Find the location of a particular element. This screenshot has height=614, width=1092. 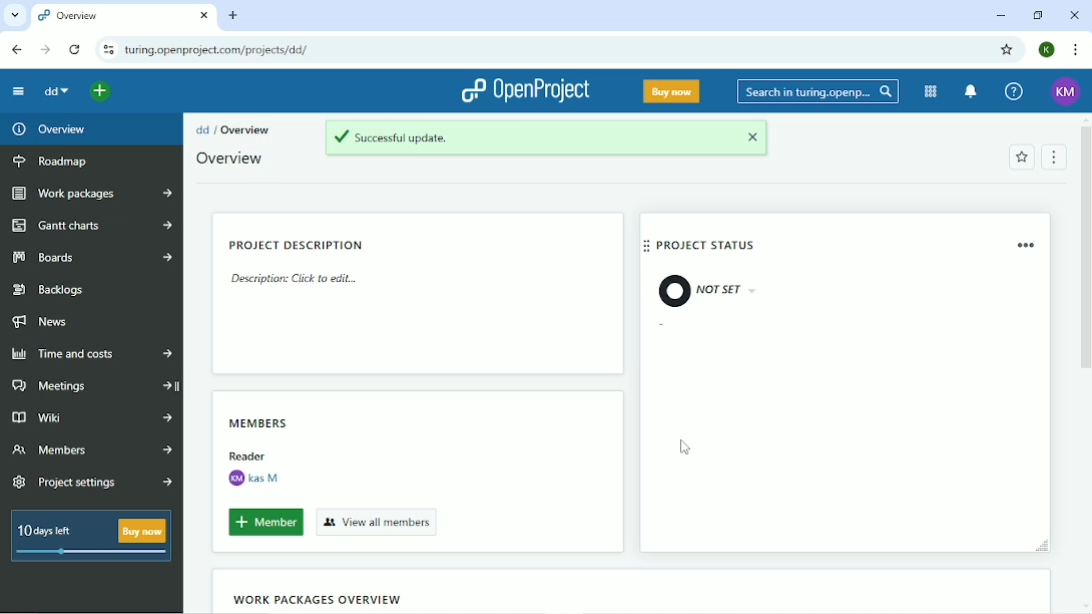

Boards is located at coordinates (93, 258).